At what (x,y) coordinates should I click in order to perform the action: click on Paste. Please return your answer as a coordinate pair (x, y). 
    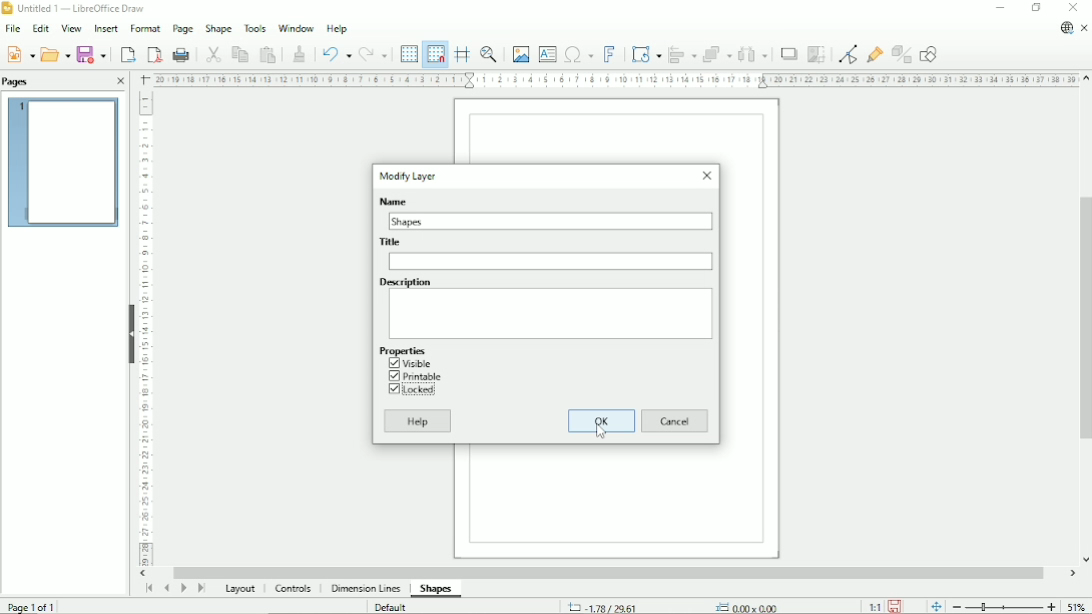
    Looking at the image, I should click on (268, 54).